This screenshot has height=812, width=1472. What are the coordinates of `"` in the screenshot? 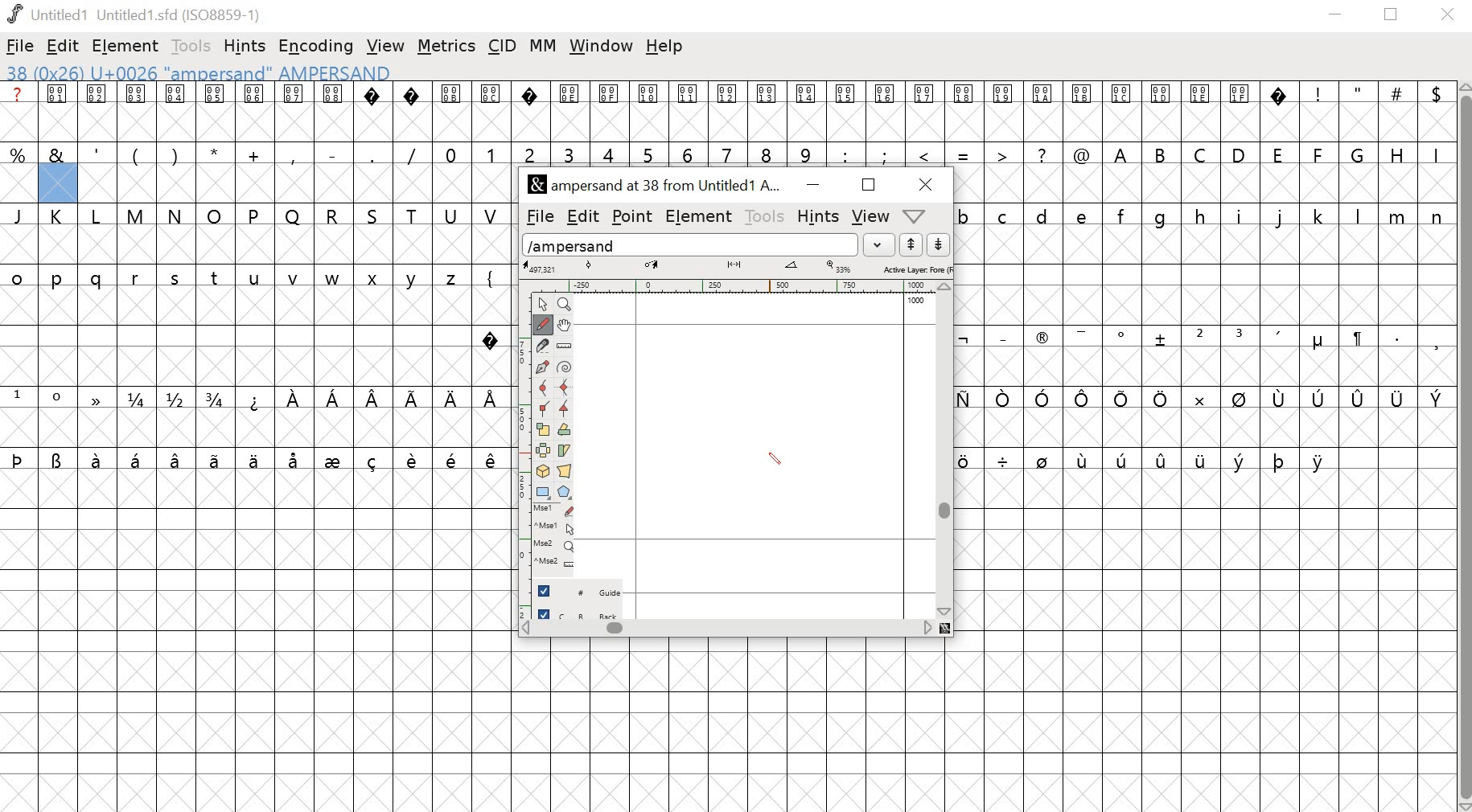 It's located at (1359, 113).